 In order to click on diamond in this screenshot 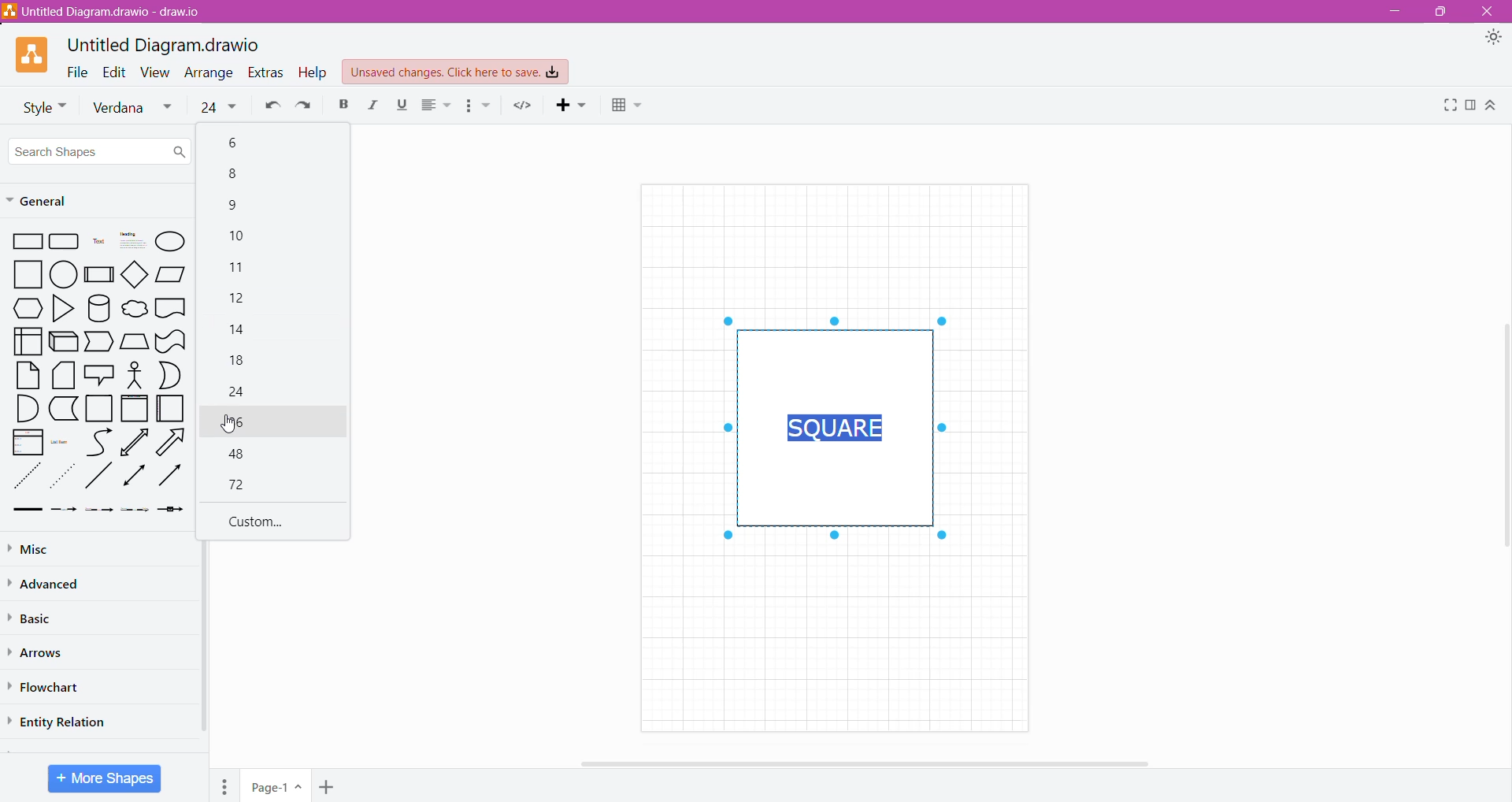, I will do `click(136, 275)`.